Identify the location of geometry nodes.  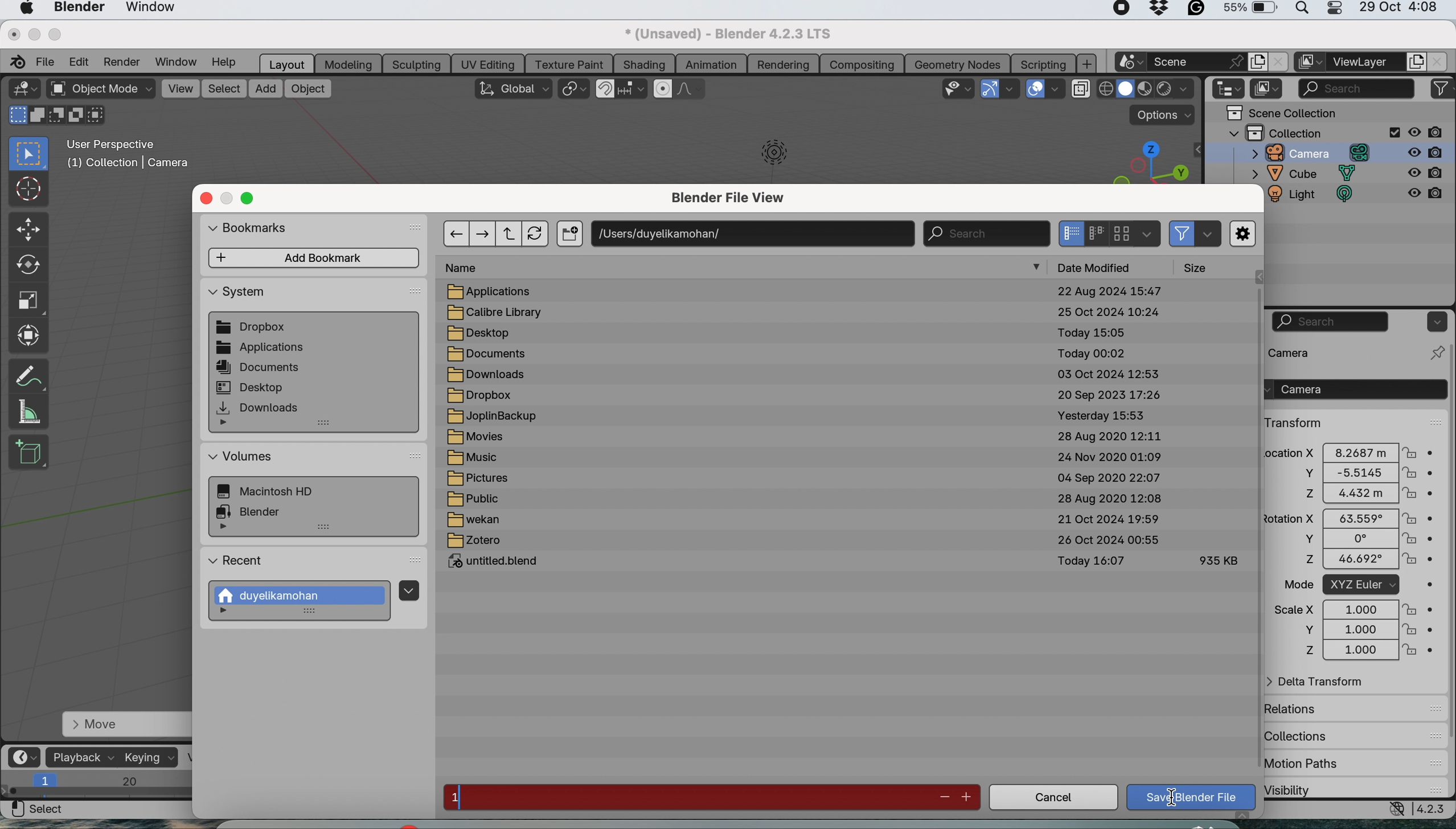
(959, 63).